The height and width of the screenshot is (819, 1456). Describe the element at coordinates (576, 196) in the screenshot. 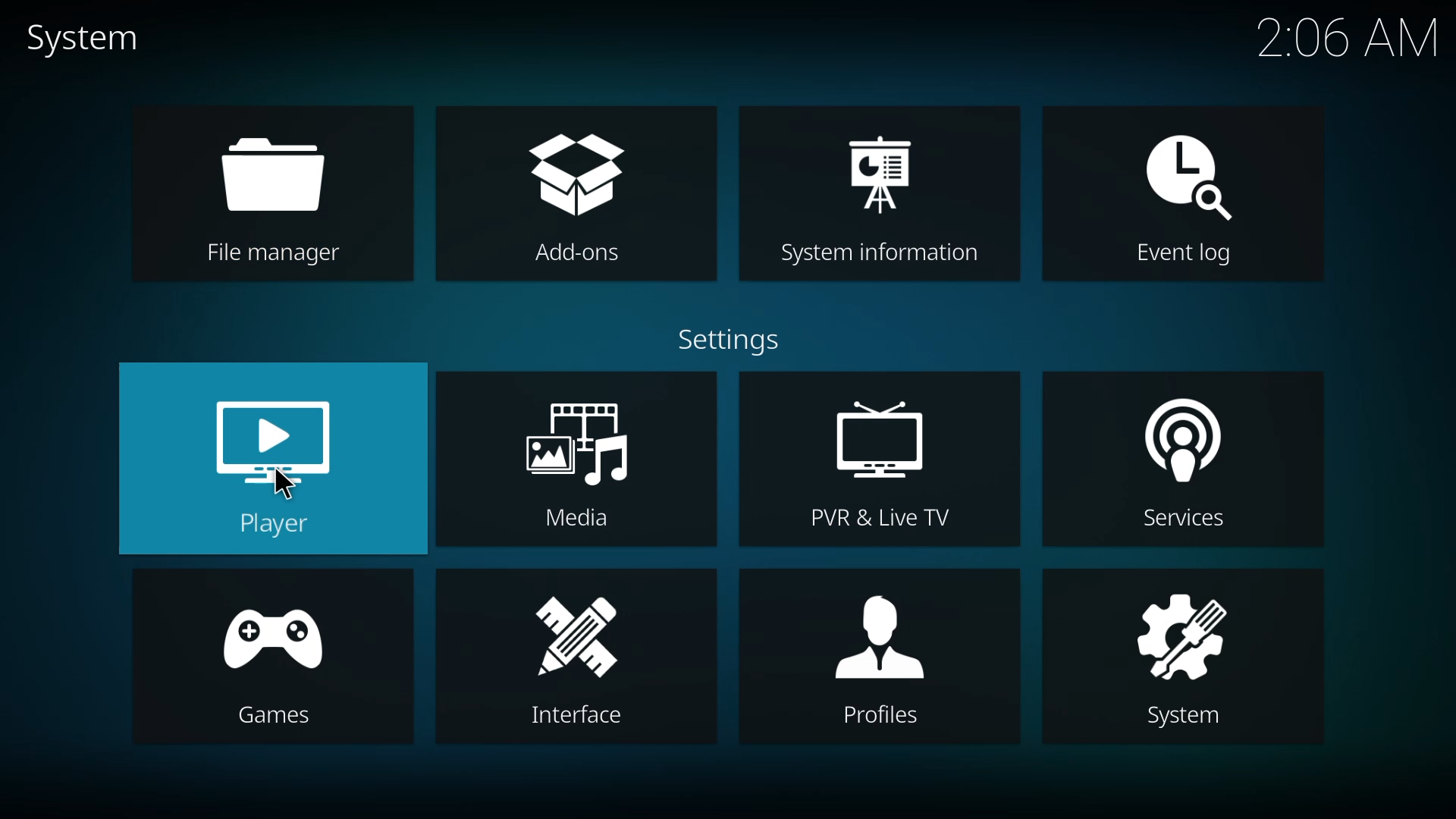

I see `add-ons` at that location.